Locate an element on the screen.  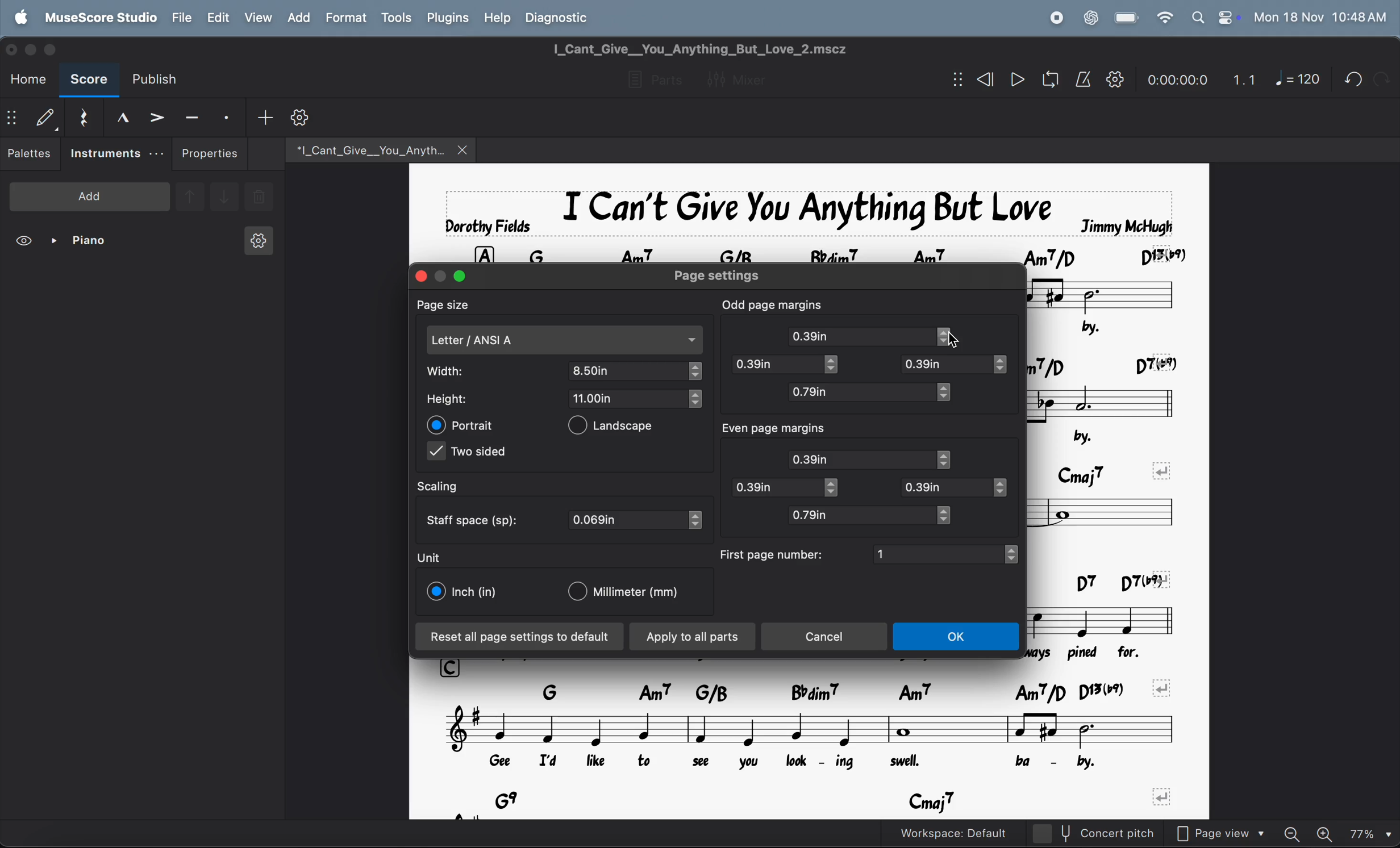
reset is located at coordinates (82, 115).